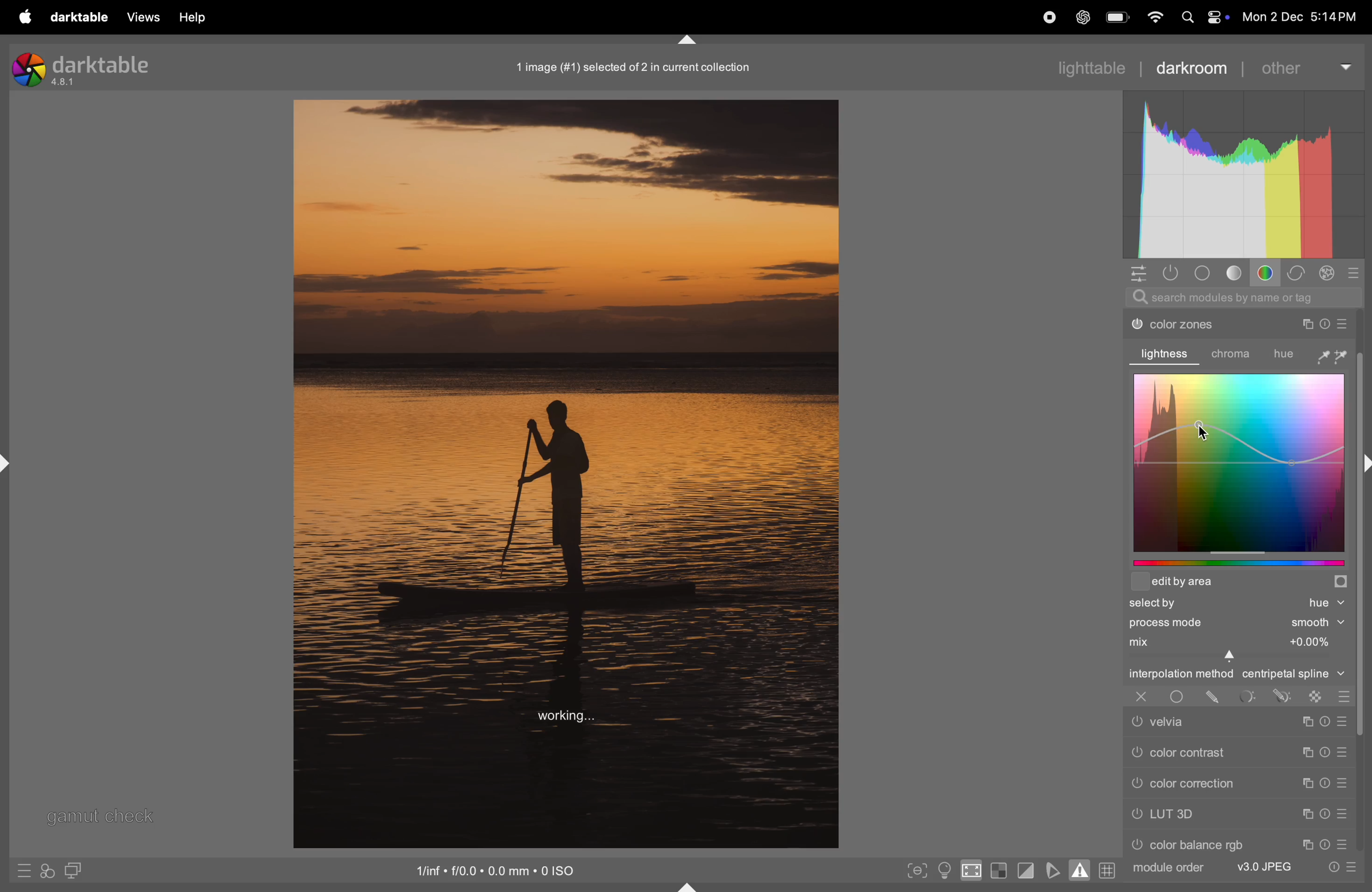  I want to click on Smooth, so click(1318, 623).